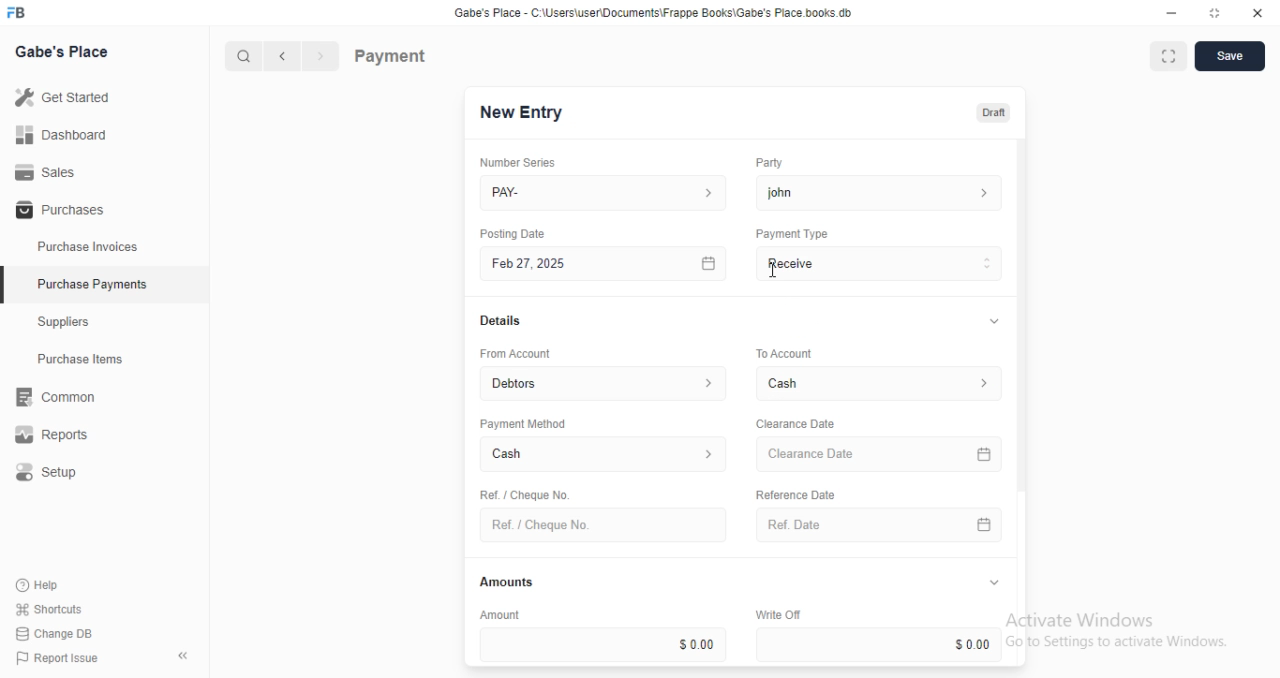  What do you see at coordinates (880, 263) in the screenshot?
I see `Receive` at bounding box center [880, 263].